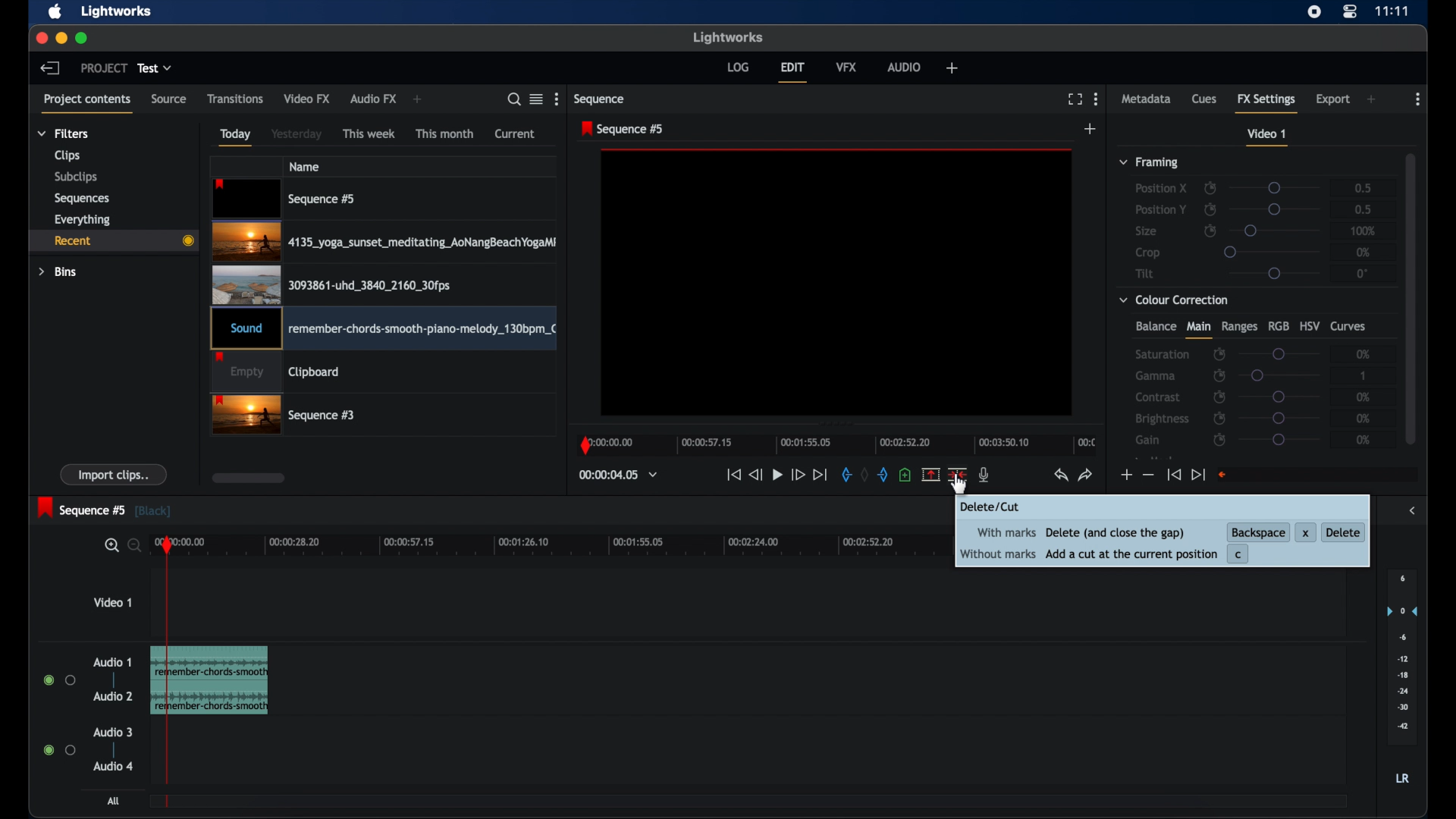  What do you see at coordinates (1401, 656) in the screenshot?
I see `set audio output levels` at bounding box center [1401, 656].